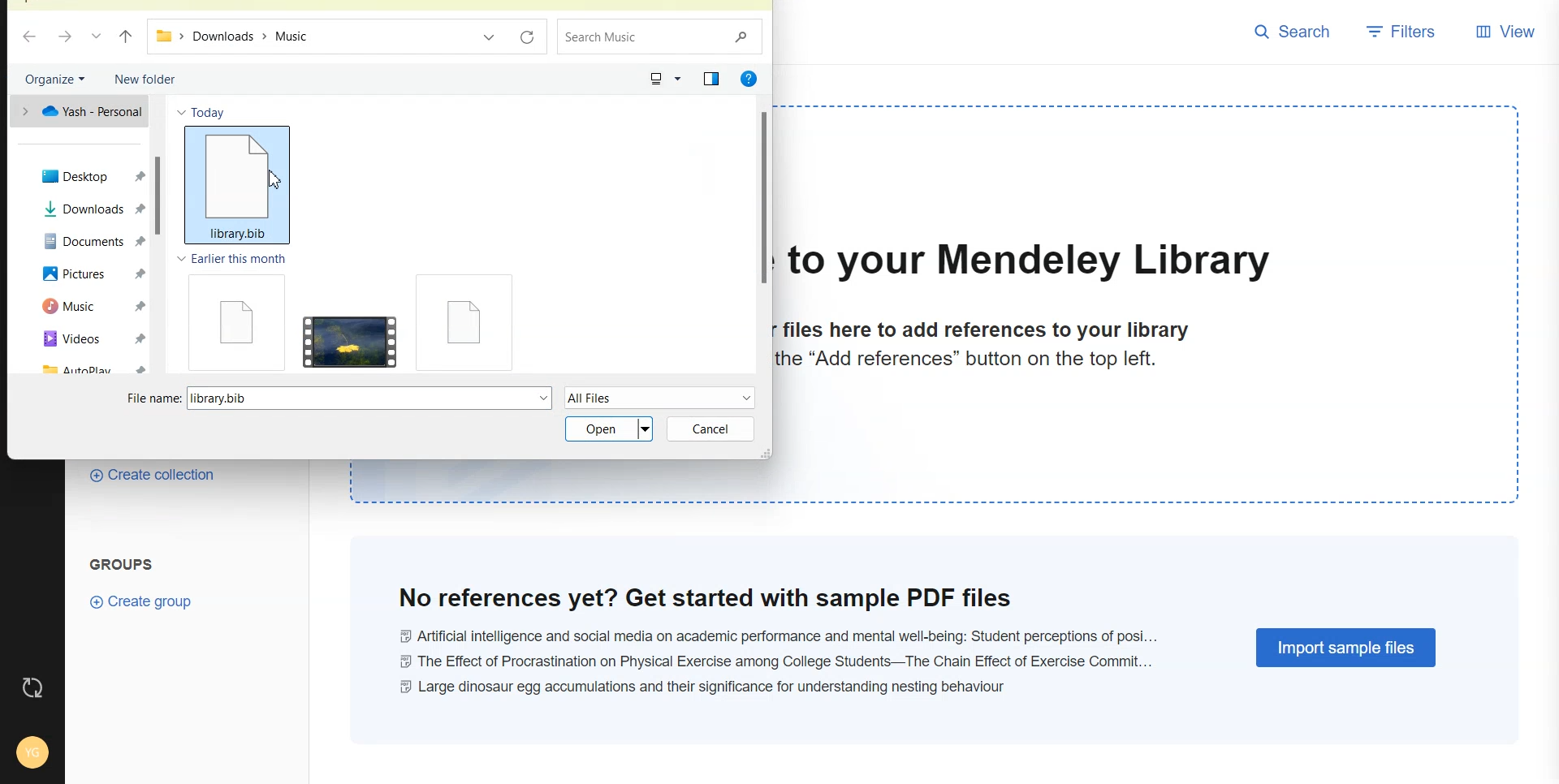 This screenshot has height=784, width=1559. I want to click on Downloads > Music, so click(235, 36).